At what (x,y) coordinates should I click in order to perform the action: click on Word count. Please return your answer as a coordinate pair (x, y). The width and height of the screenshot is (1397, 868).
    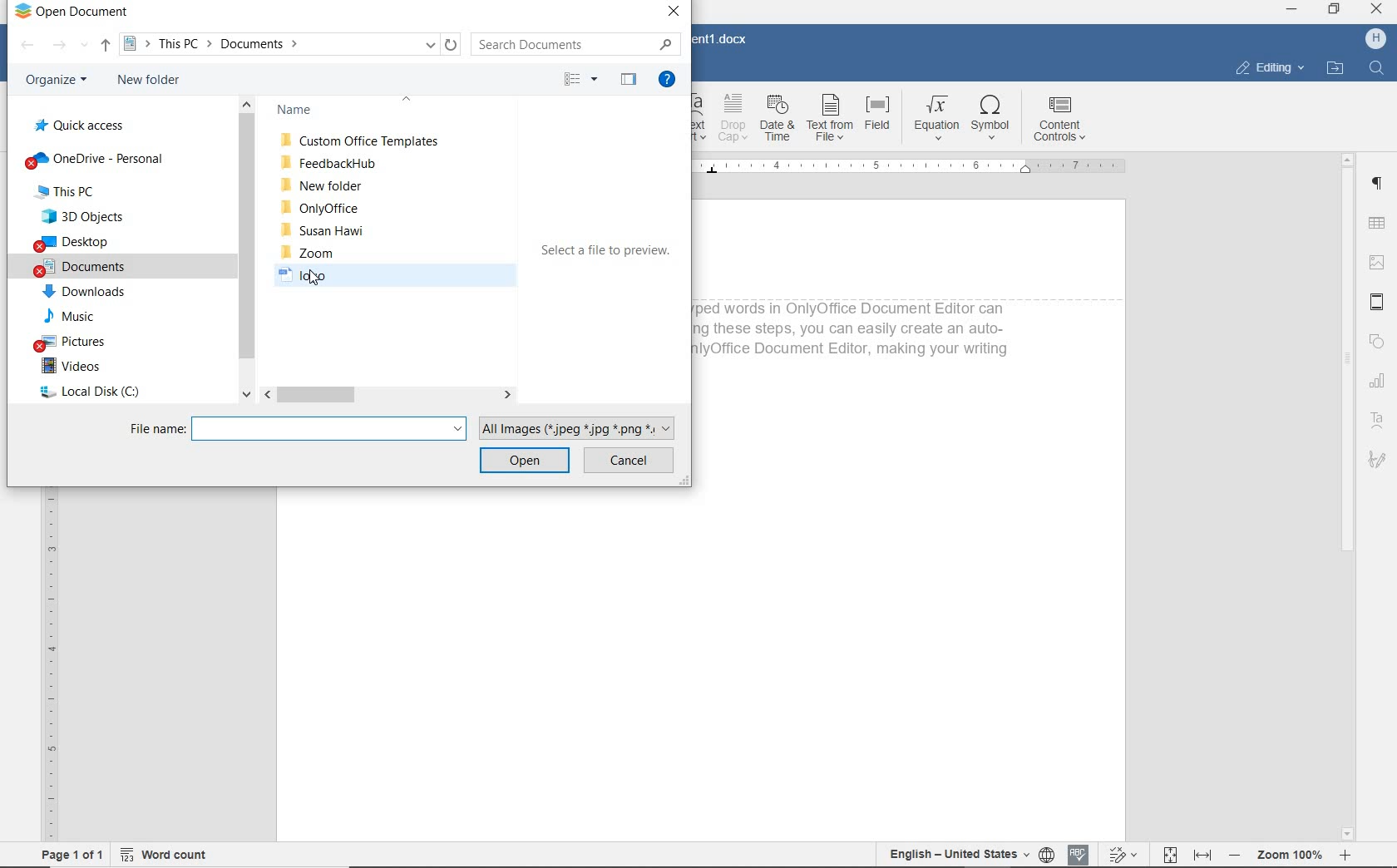
    Looking at the image, I should click on (162, 855).